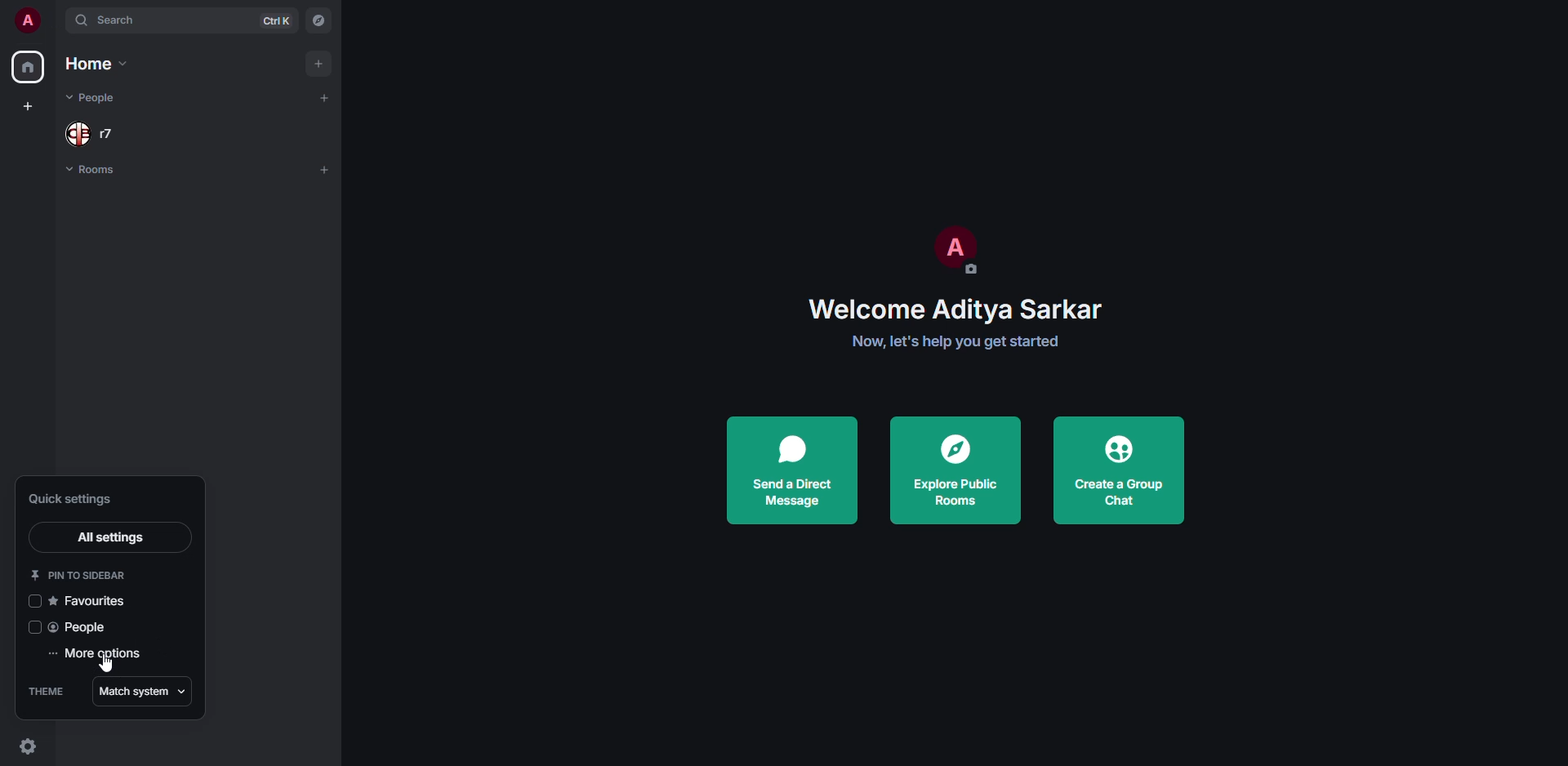  I want to click on welcome, so click(955, 309).